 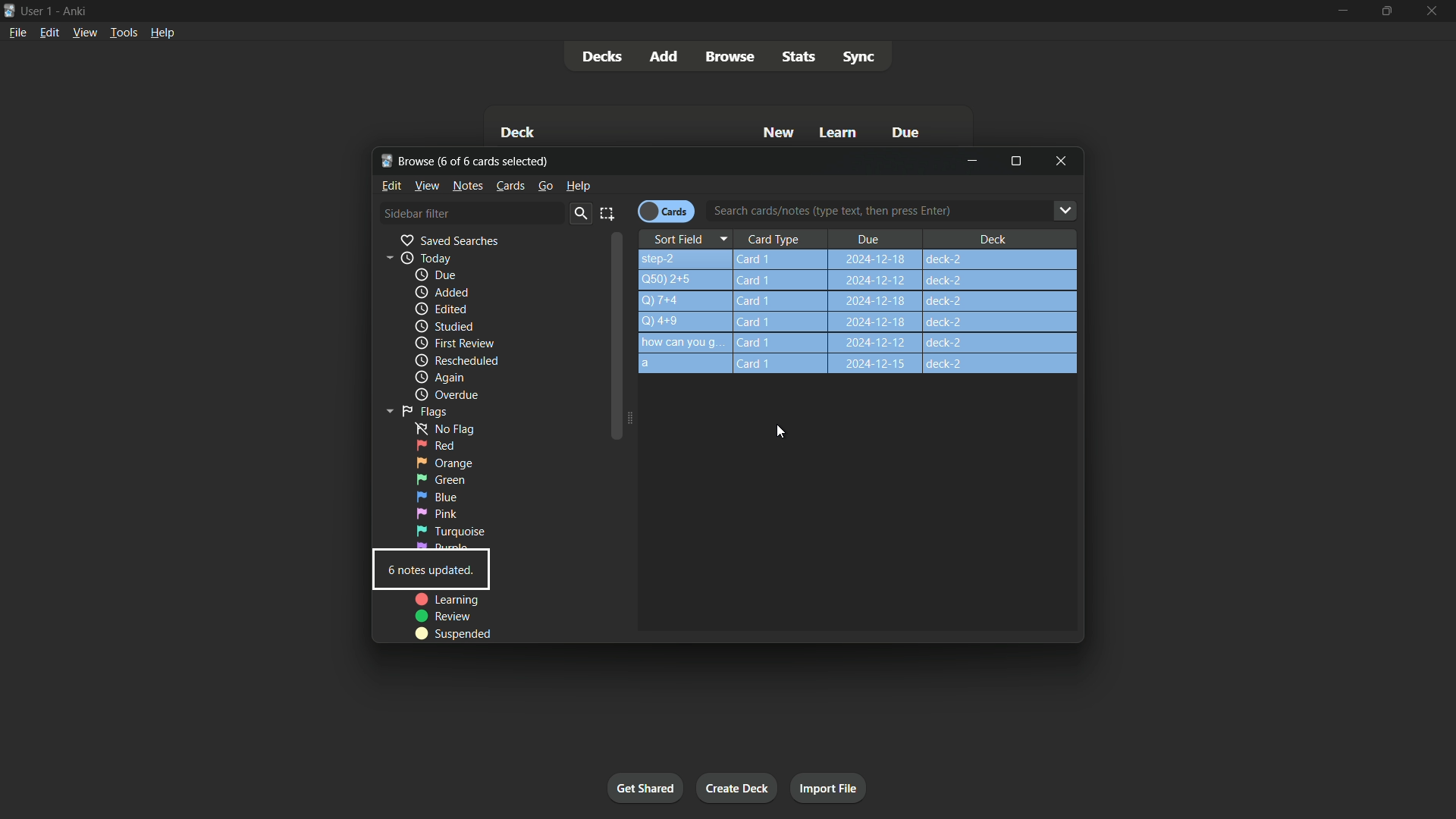 What do you see at coordinates (445, 395) in the screenshot?
I see `Overdue` at bounding box center [445, 395].